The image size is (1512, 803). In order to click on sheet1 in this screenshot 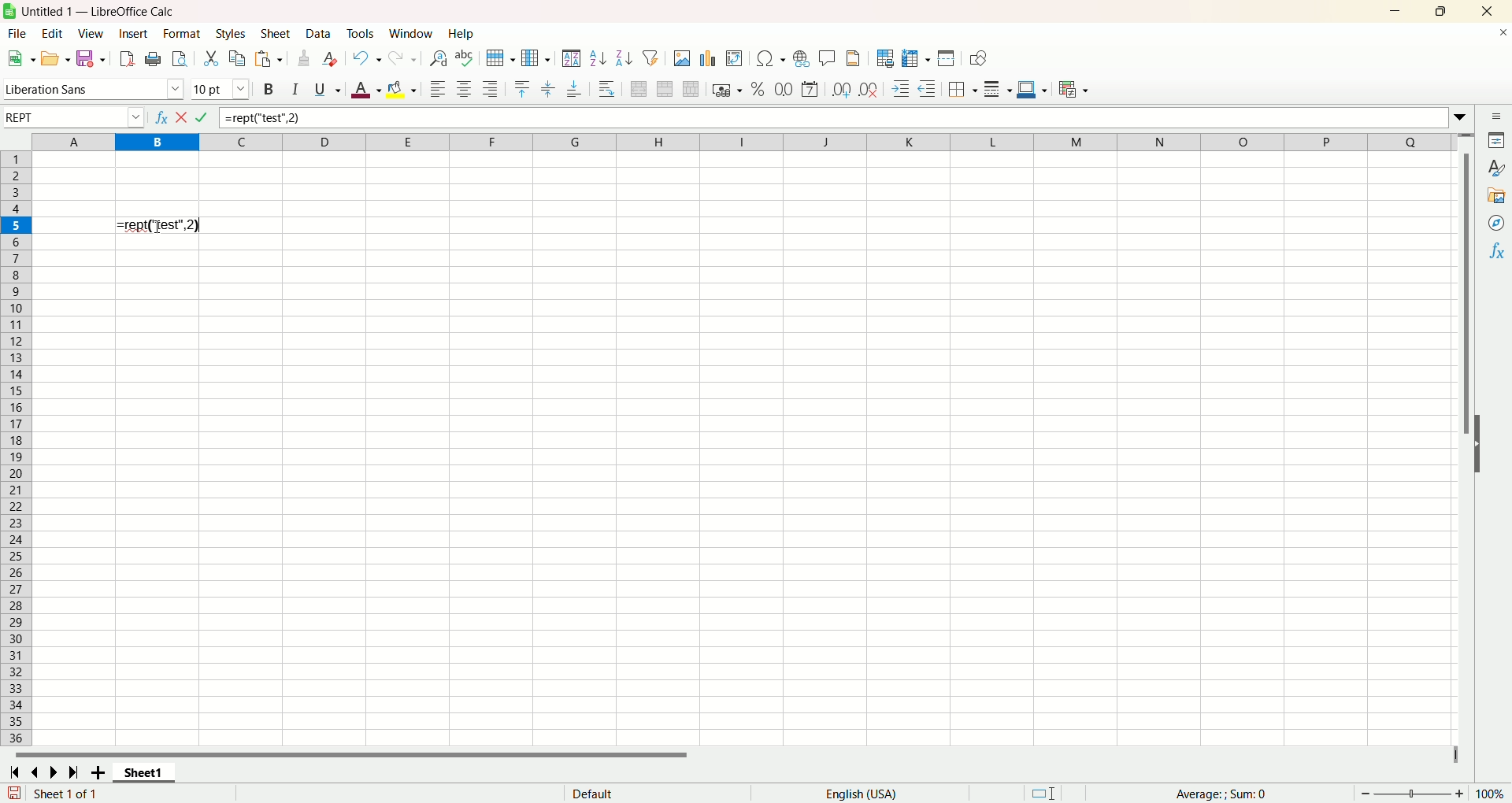, I will do `click(146, 774)`.